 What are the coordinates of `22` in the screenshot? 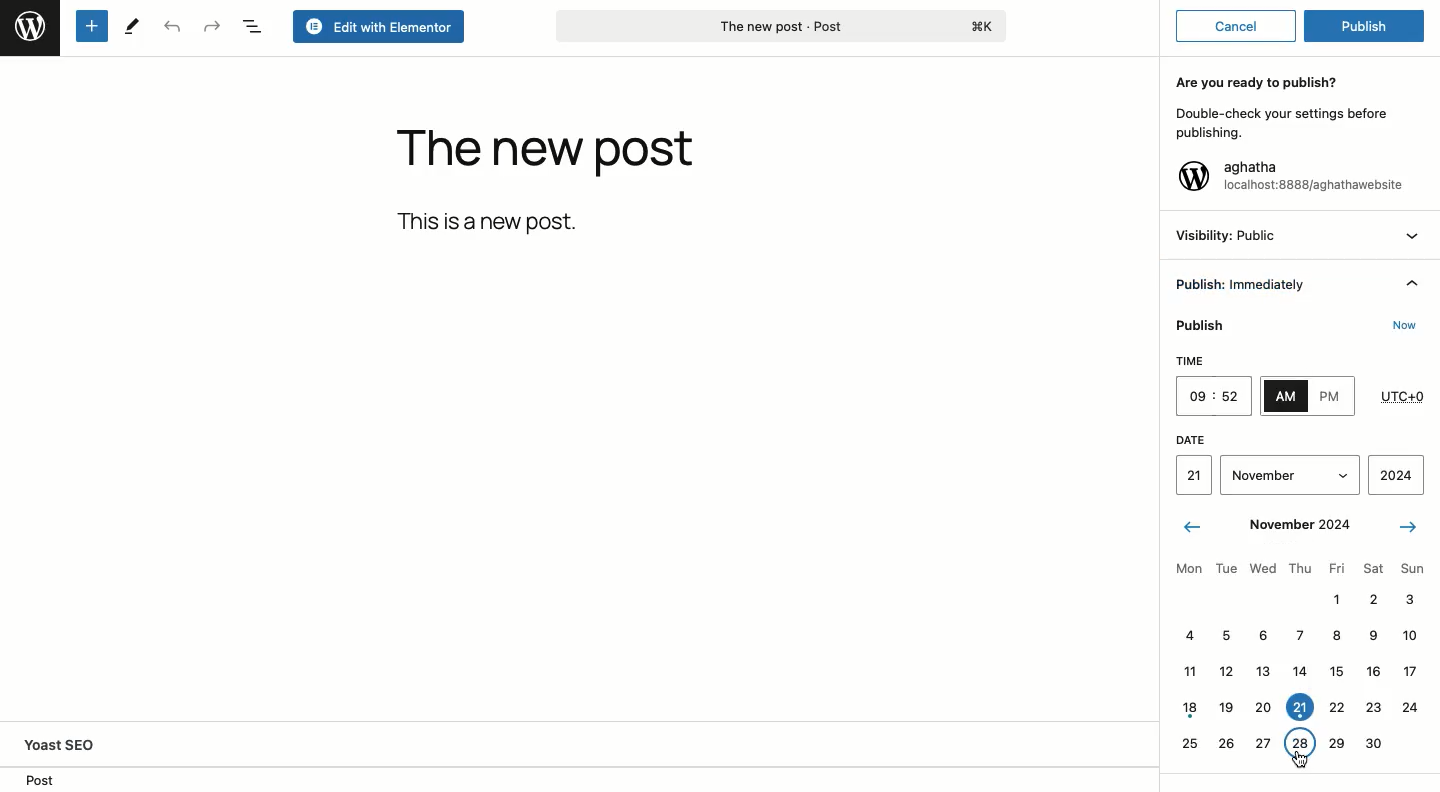 It's located at (1336, 708).